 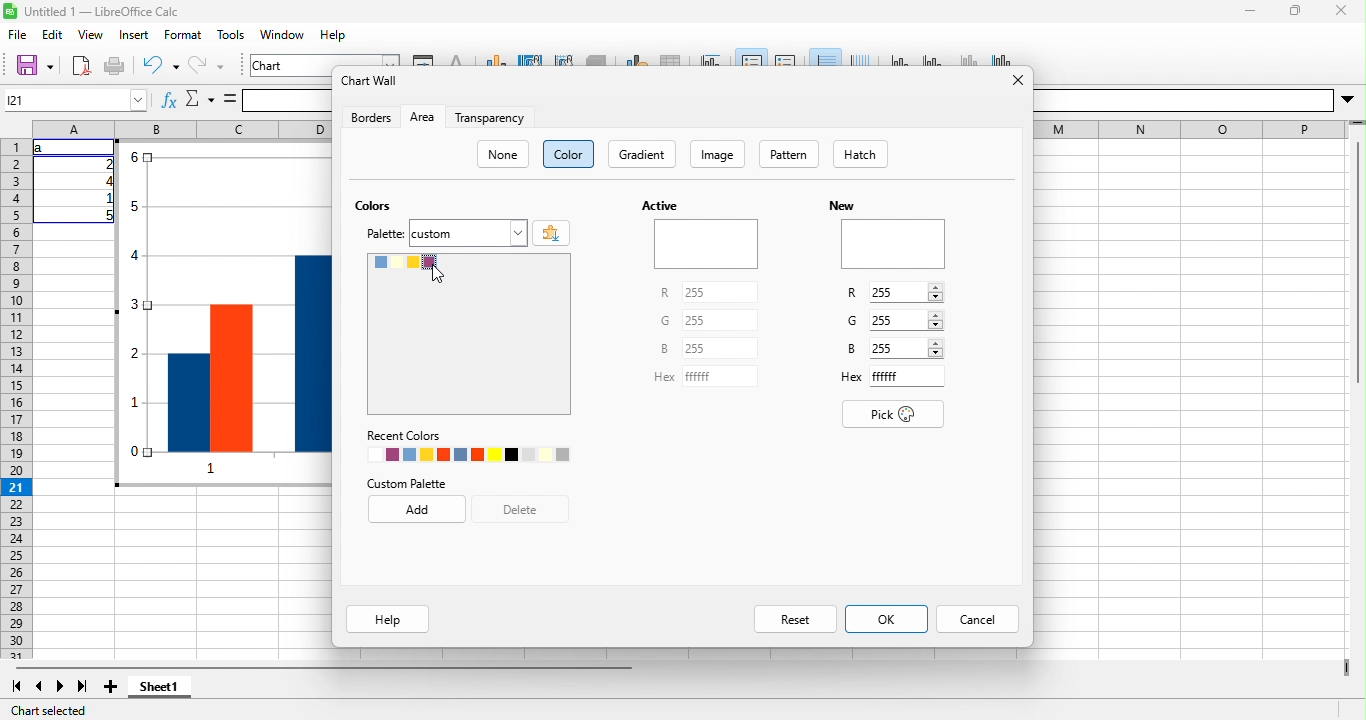 I want to click on chart wall, so click(x=371, y=80).